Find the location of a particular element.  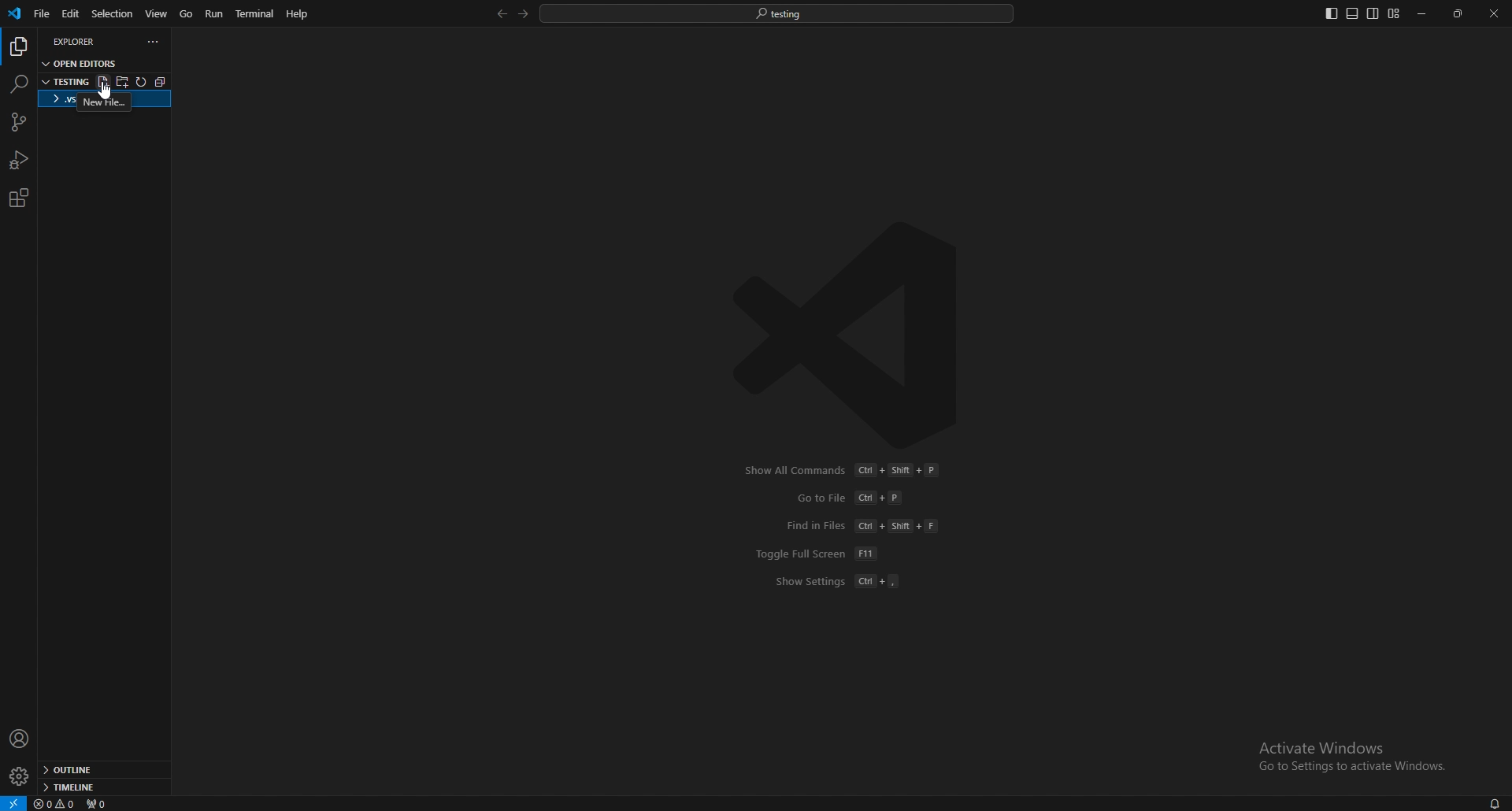

run is located at coordinates (216, 13).